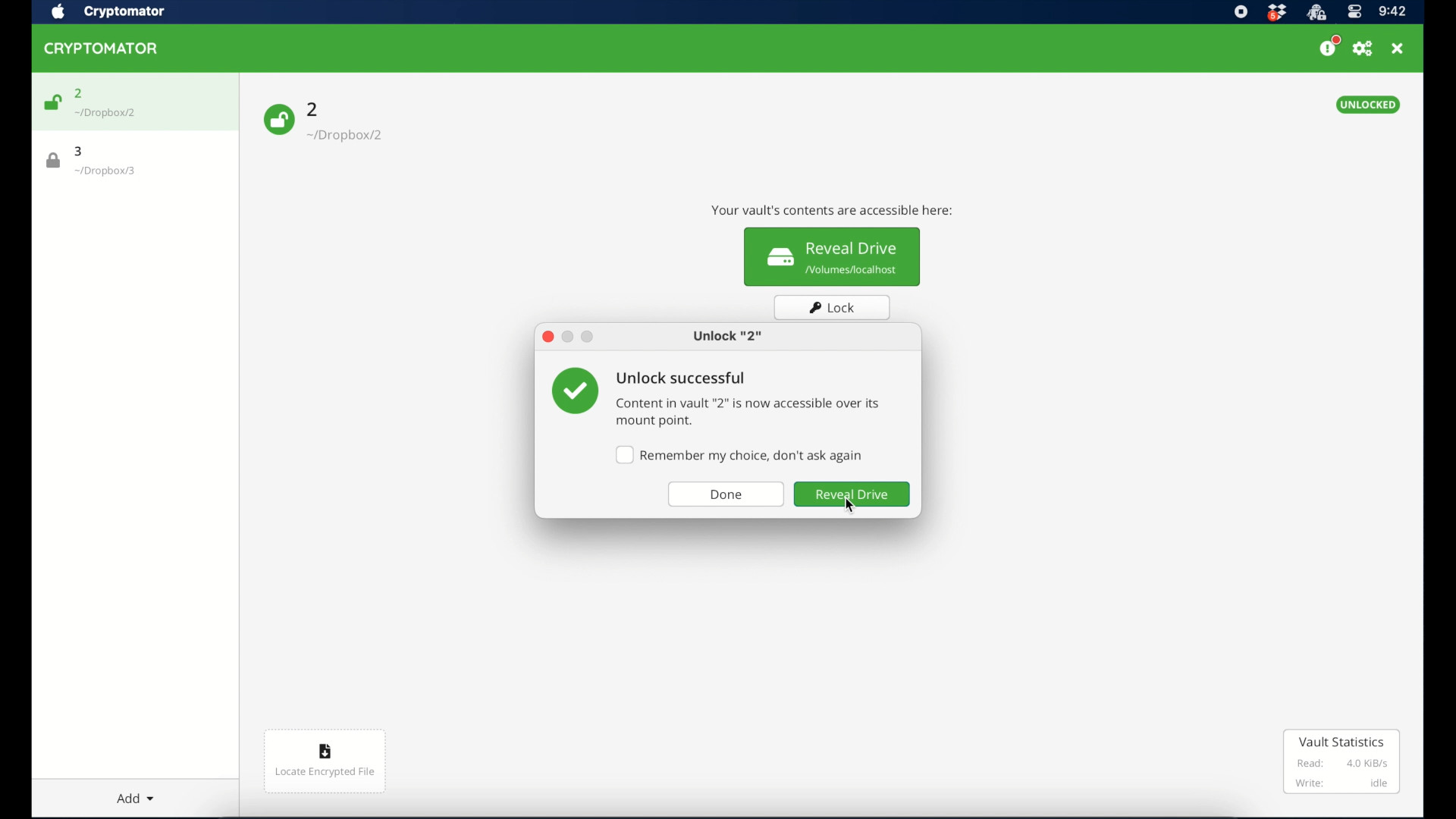 Image resolution: width=1456 pixels, height=819 pixels. What do you see at coordinates (347, 136) in the screenshot?
I see `-/Dropbox/2` at bounding box center [347, 136].